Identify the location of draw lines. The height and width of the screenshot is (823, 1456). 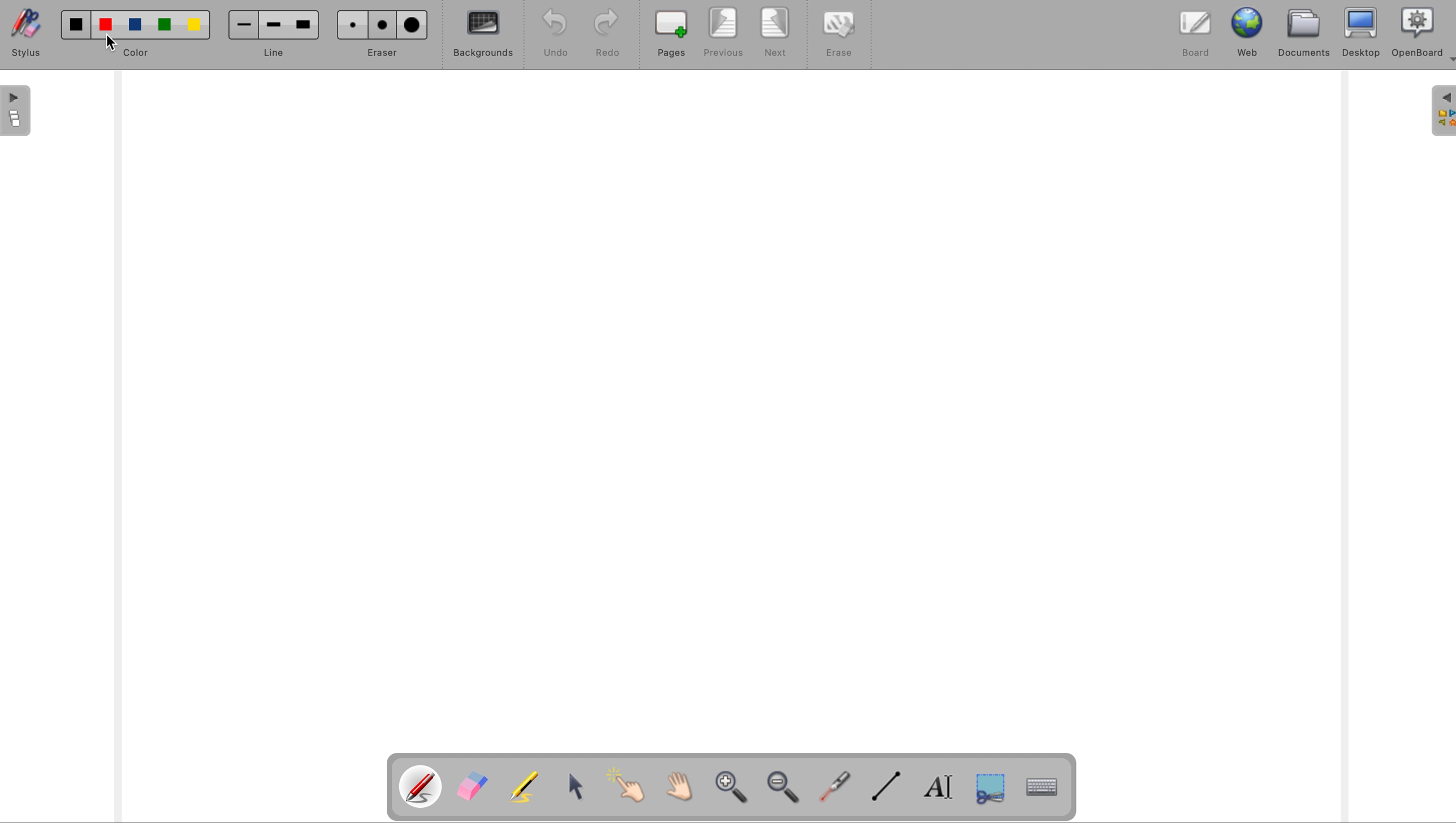
(889, 791).